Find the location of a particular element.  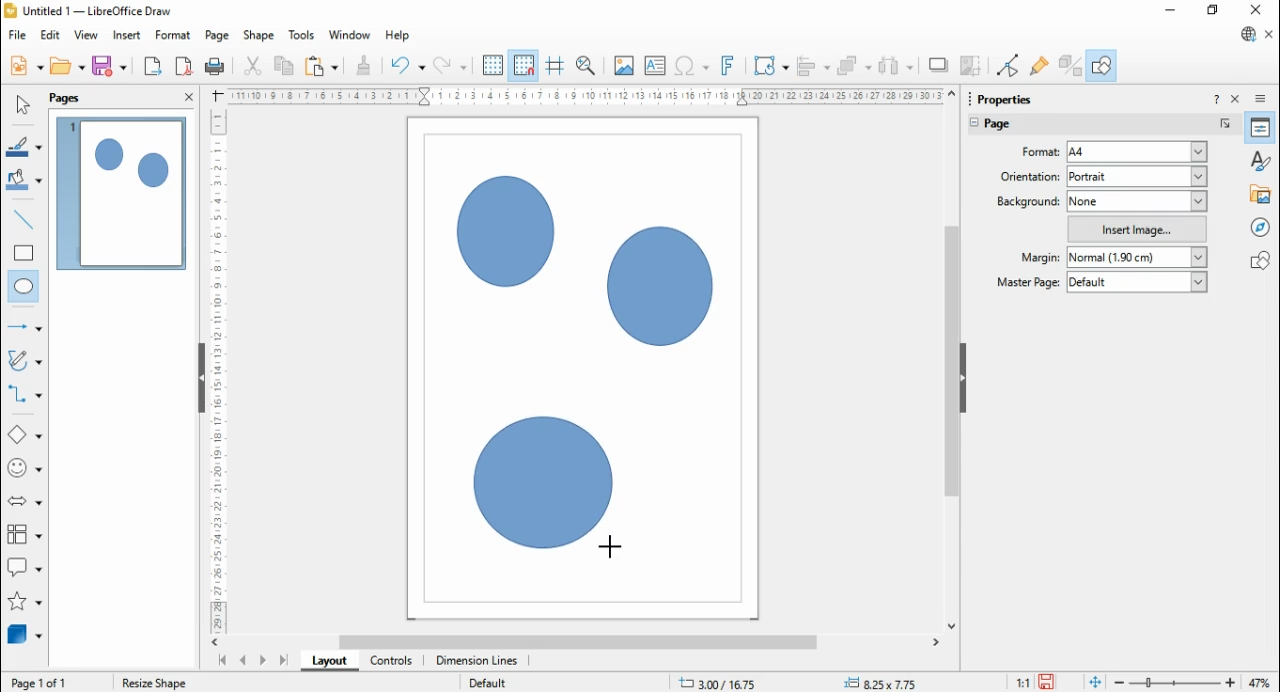

zoom slider is located at coordinates (1175, 683).